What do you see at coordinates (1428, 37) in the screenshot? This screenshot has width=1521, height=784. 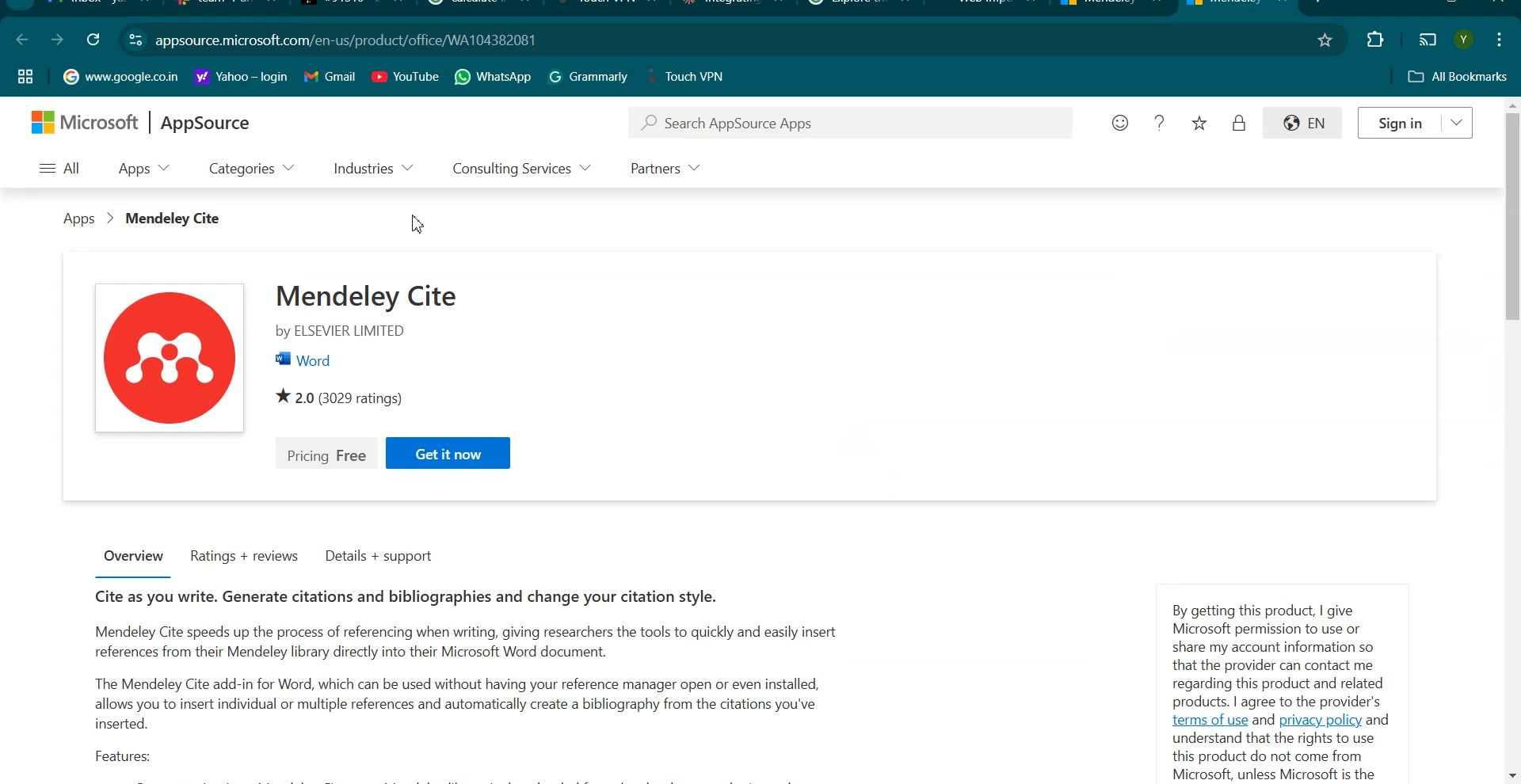 I see `Display on another screen` at bounding box center [1428, 37].